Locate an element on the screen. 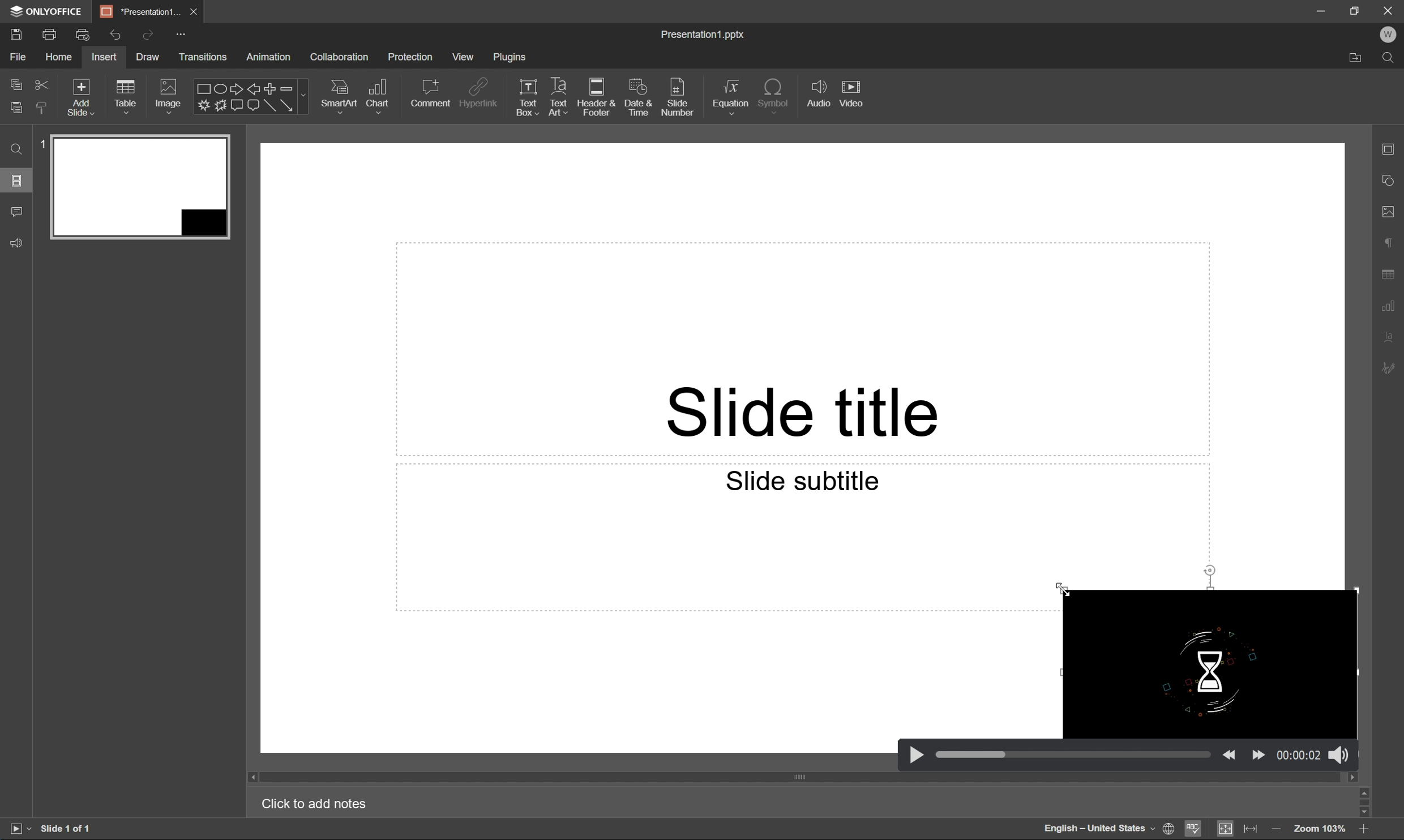 Image resolution: width=1404 pixels, height=840 pixels. slide number is located at coordinates (681, 99).